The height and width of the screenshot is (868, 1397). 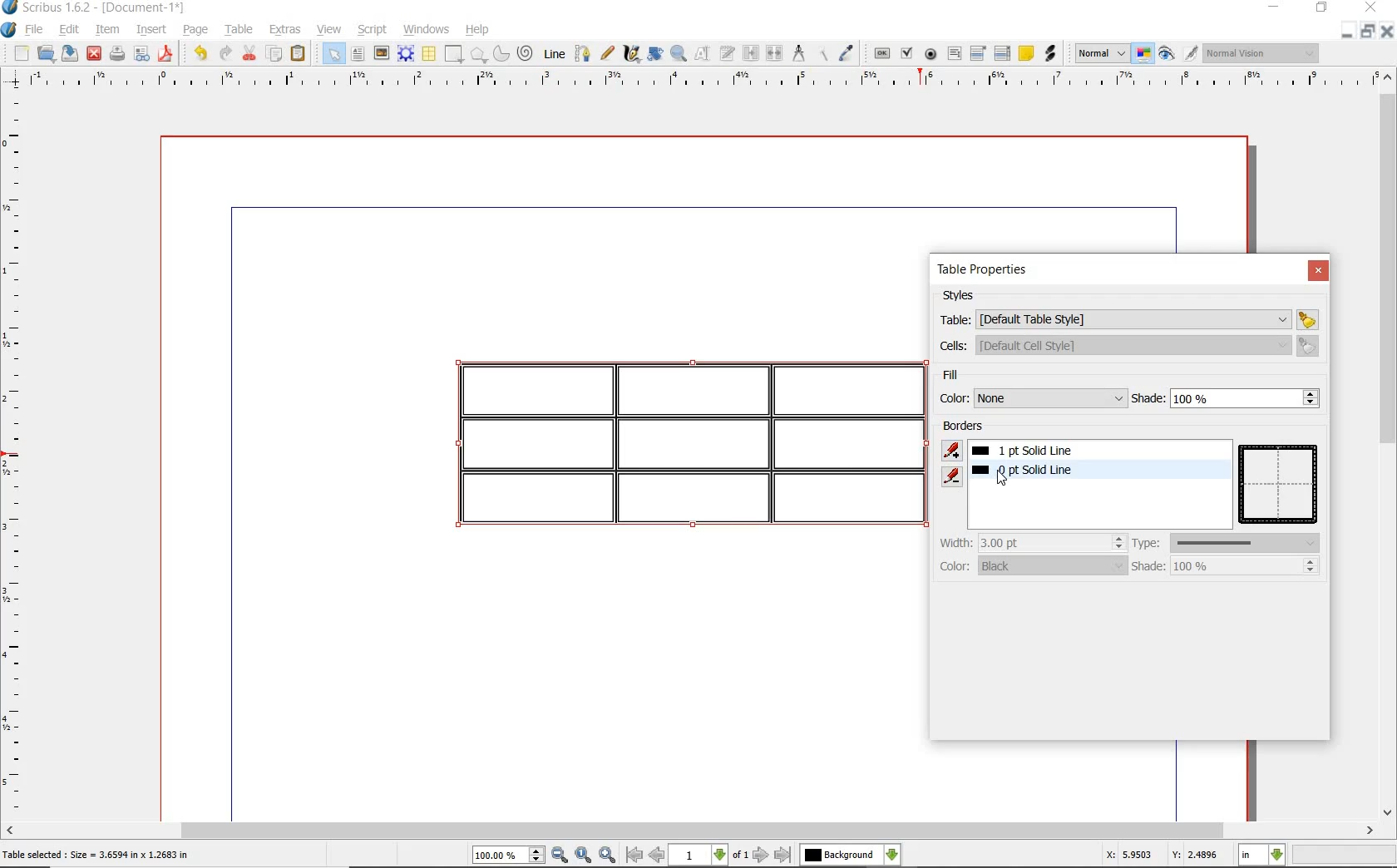 What do you see at coordinates (476, 31) in the screenshot?
I see `help` at bounding box center [476, 31].